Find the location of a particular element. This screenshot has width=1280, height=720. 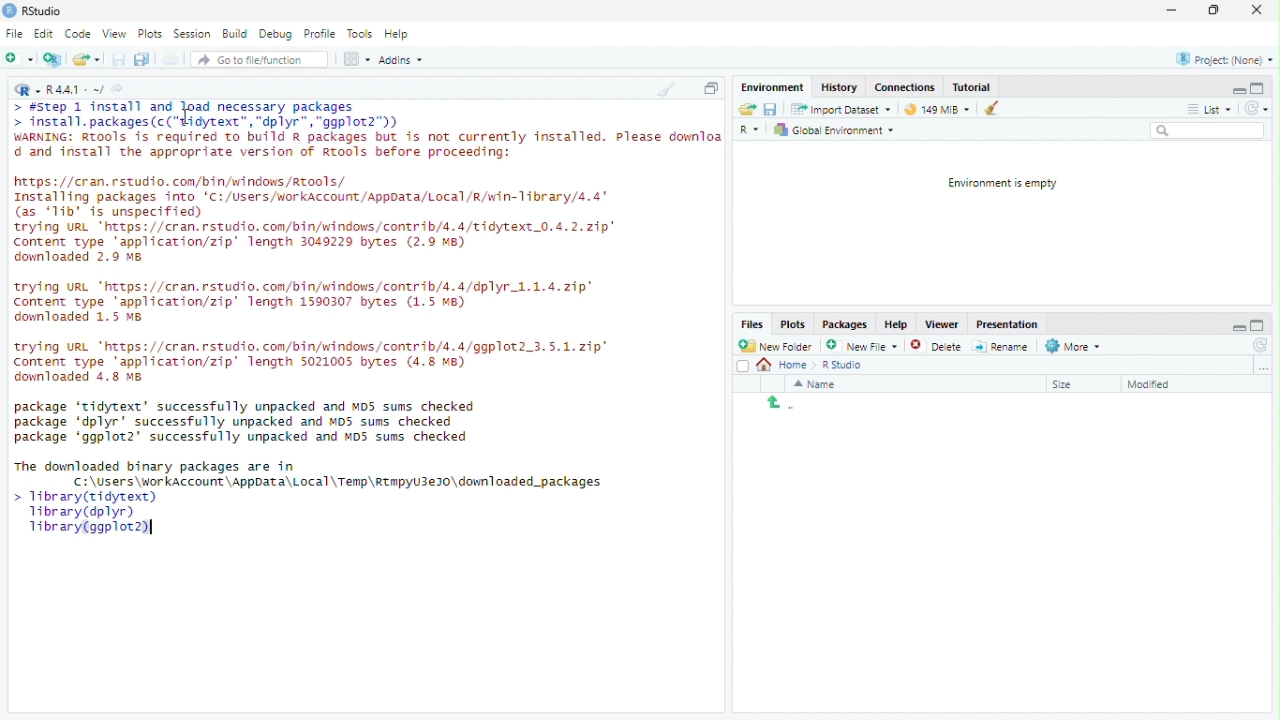

Code is located at coordinates (78, 33).